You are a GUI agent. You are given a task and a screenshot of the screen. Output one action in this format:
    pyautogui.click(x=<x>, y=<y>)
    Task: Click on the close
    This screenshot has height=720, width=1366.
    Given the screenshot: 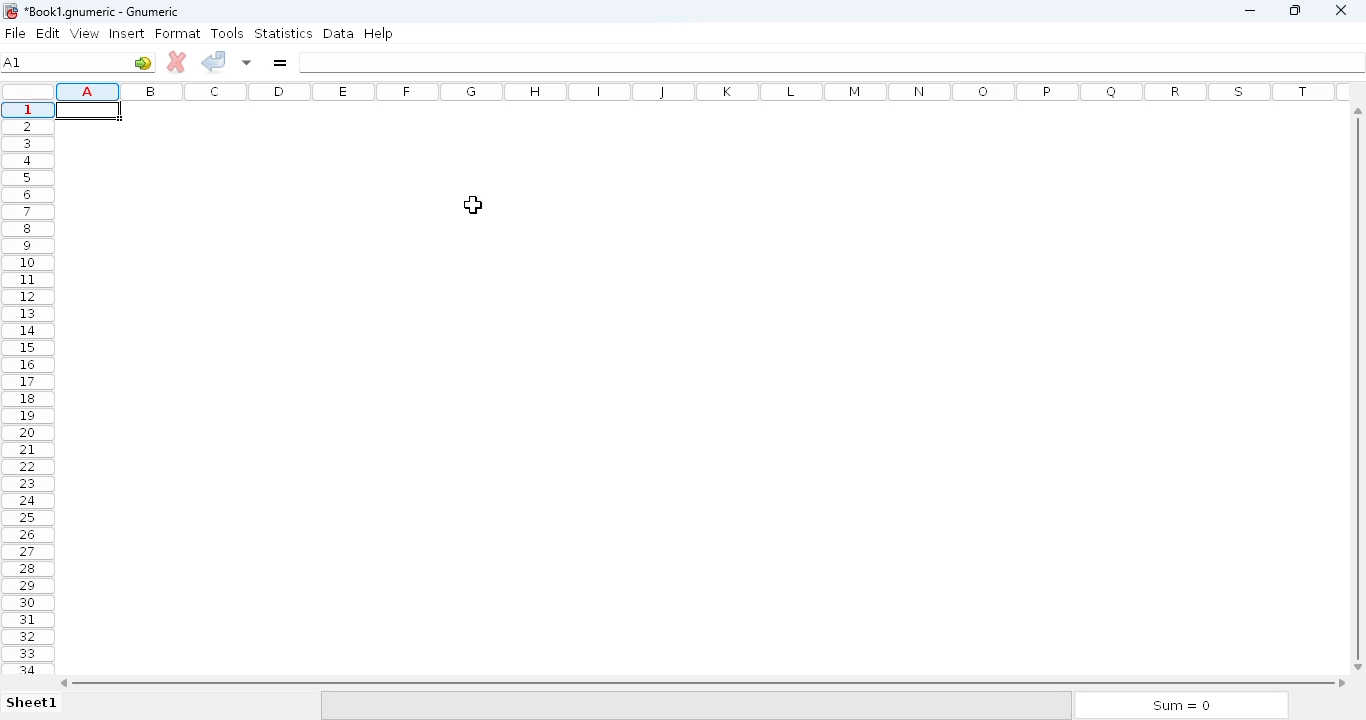 What is the action you would take?
    pyautogui.click(x=1341, y=10)
    